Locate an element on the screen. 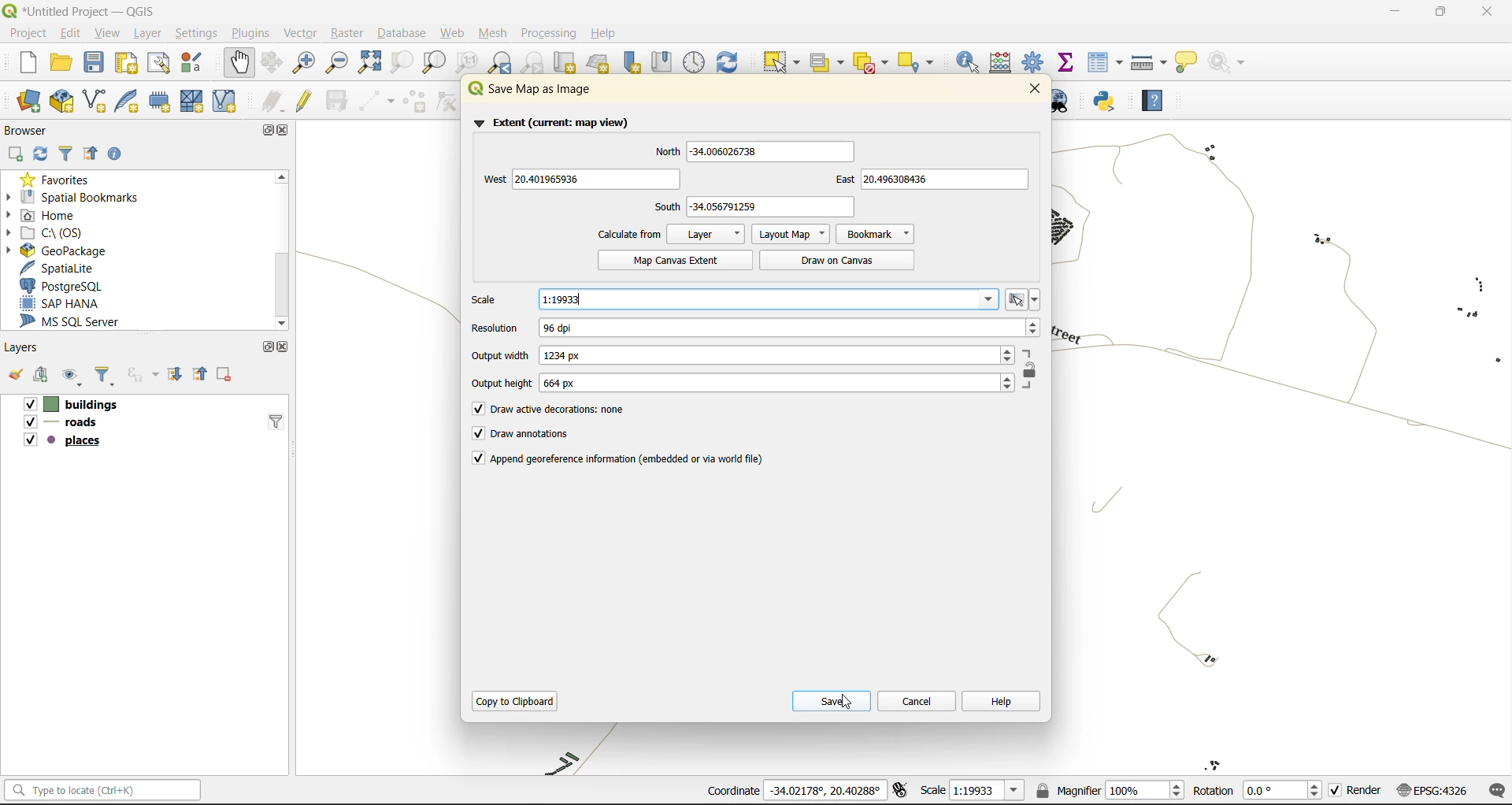 The image size is (1512, 805). home is located at coordinates (46, 214).